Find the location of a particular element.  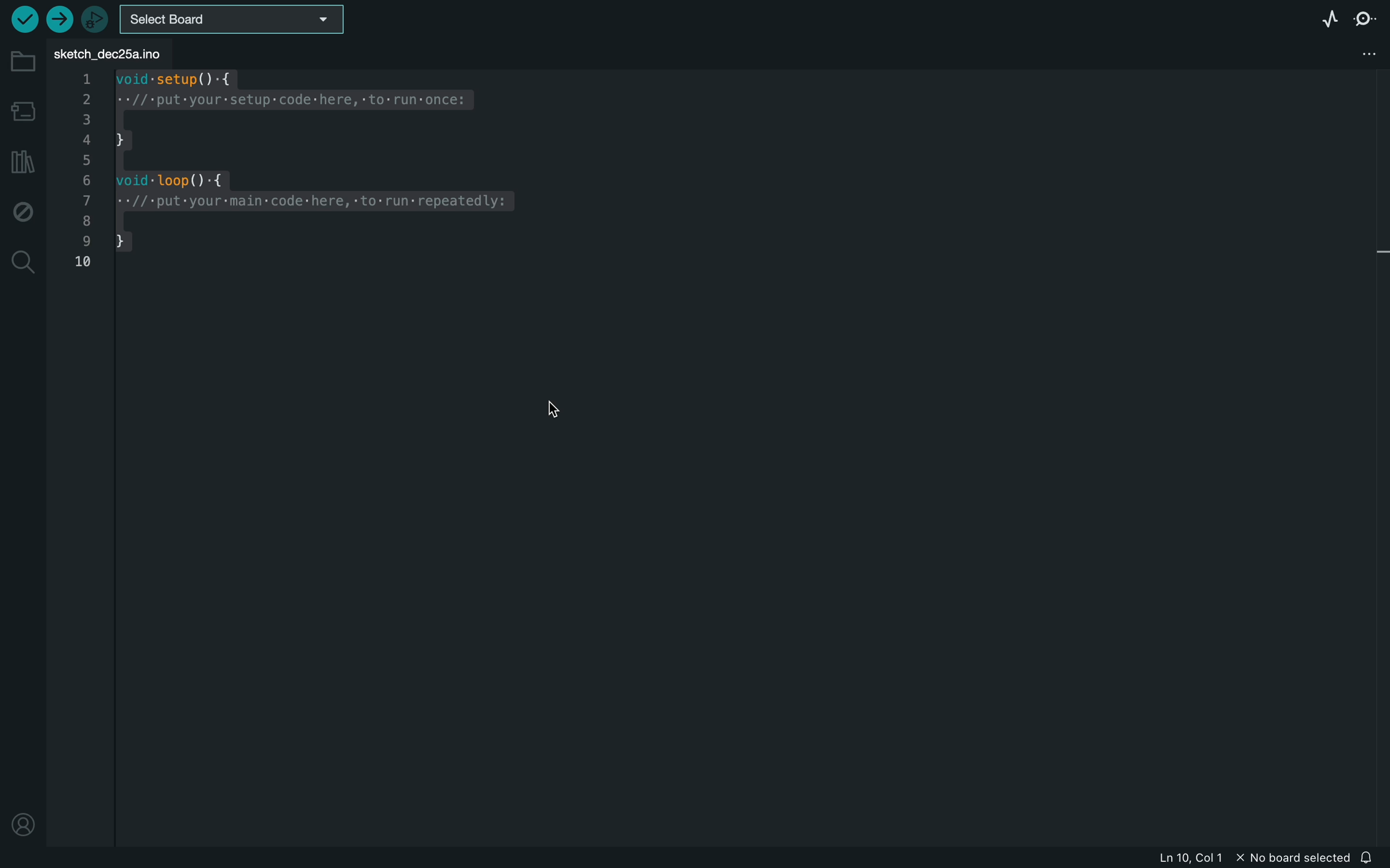

file  tab  is located at coordinates (114, 54).